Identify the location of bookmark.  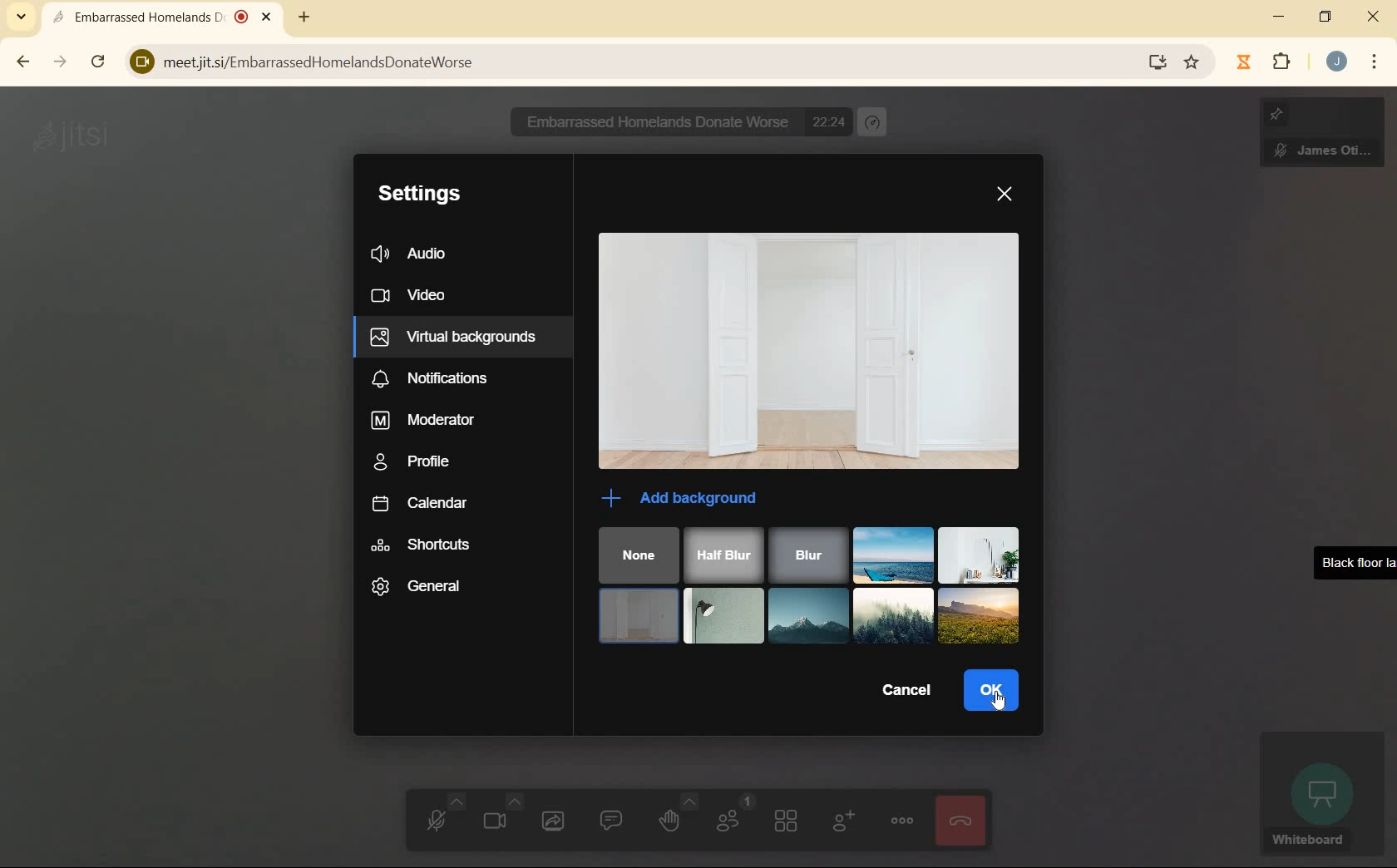
(1191, 62).